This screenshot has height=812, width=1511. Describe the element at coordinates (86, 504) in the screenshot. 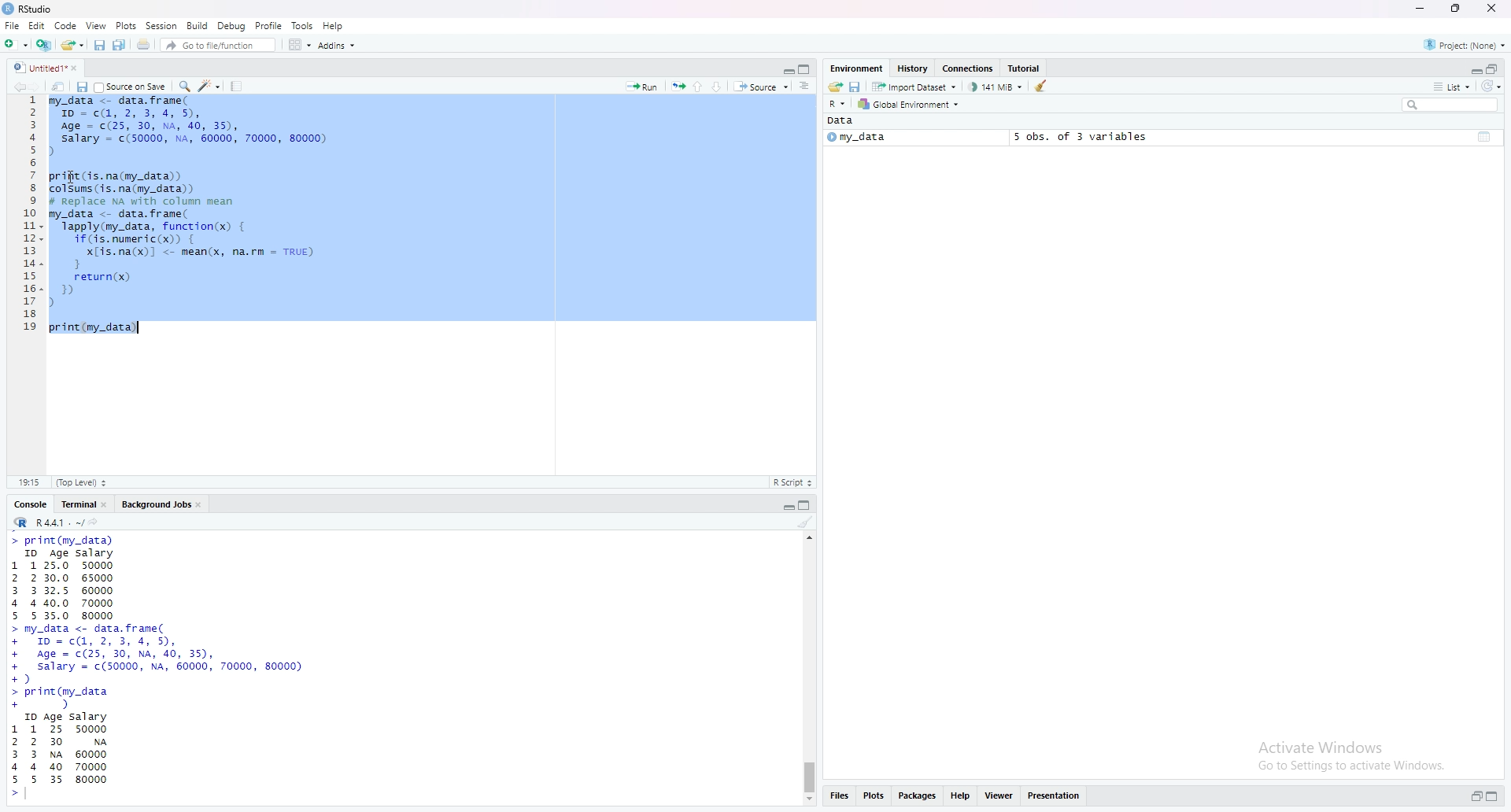

I see `Terminal` at that location.